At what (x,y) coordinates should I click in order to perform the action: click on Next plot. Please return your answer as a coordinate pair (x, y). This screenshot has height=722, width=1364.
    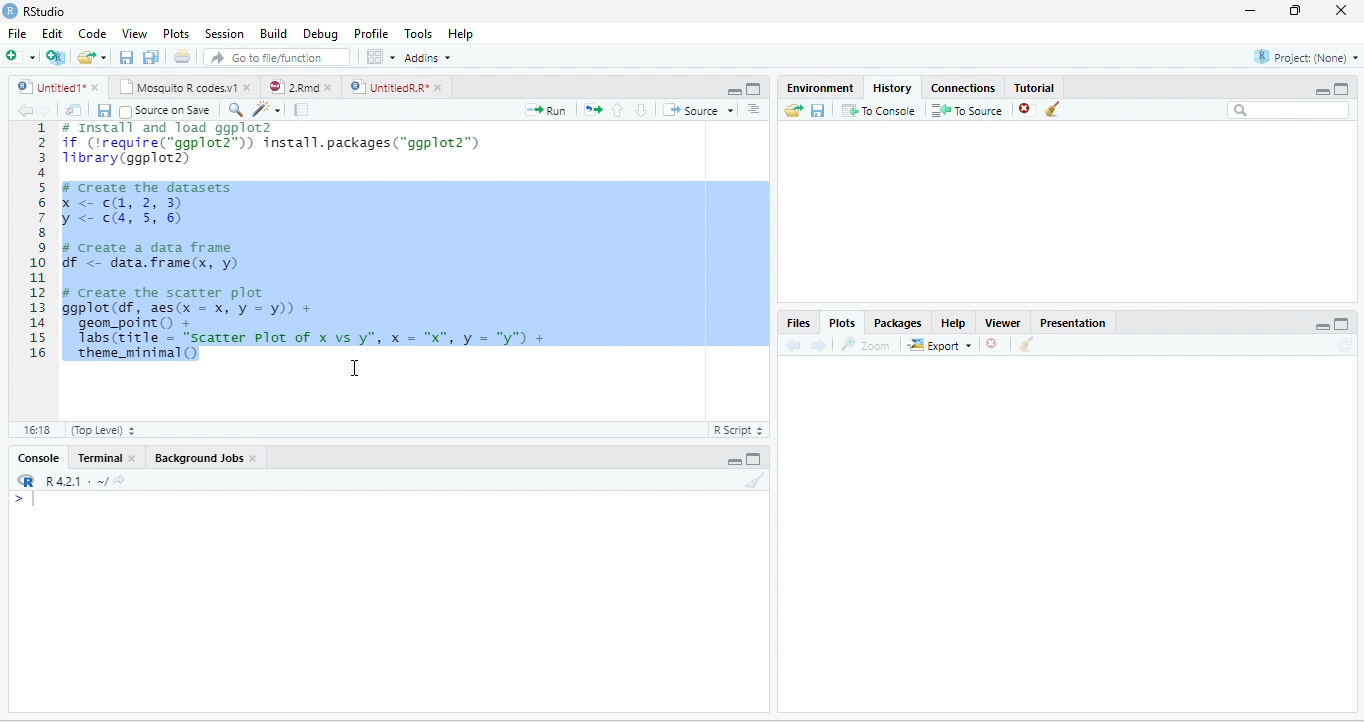
    Looking at the image, I should click on (818, 345).